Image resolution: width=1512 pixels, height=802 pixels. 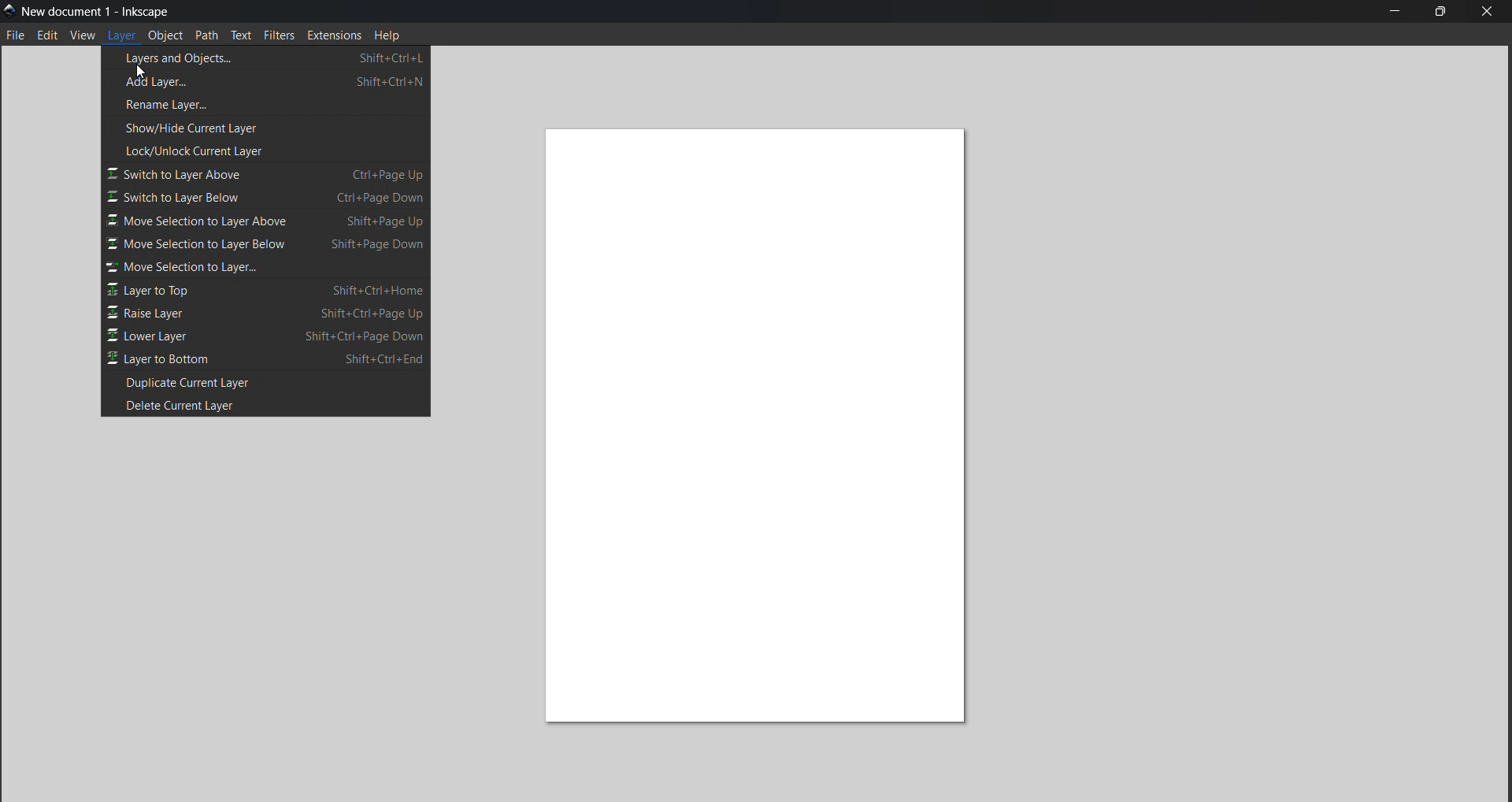 I want to click on rename layer, so click(x=175, y=106).